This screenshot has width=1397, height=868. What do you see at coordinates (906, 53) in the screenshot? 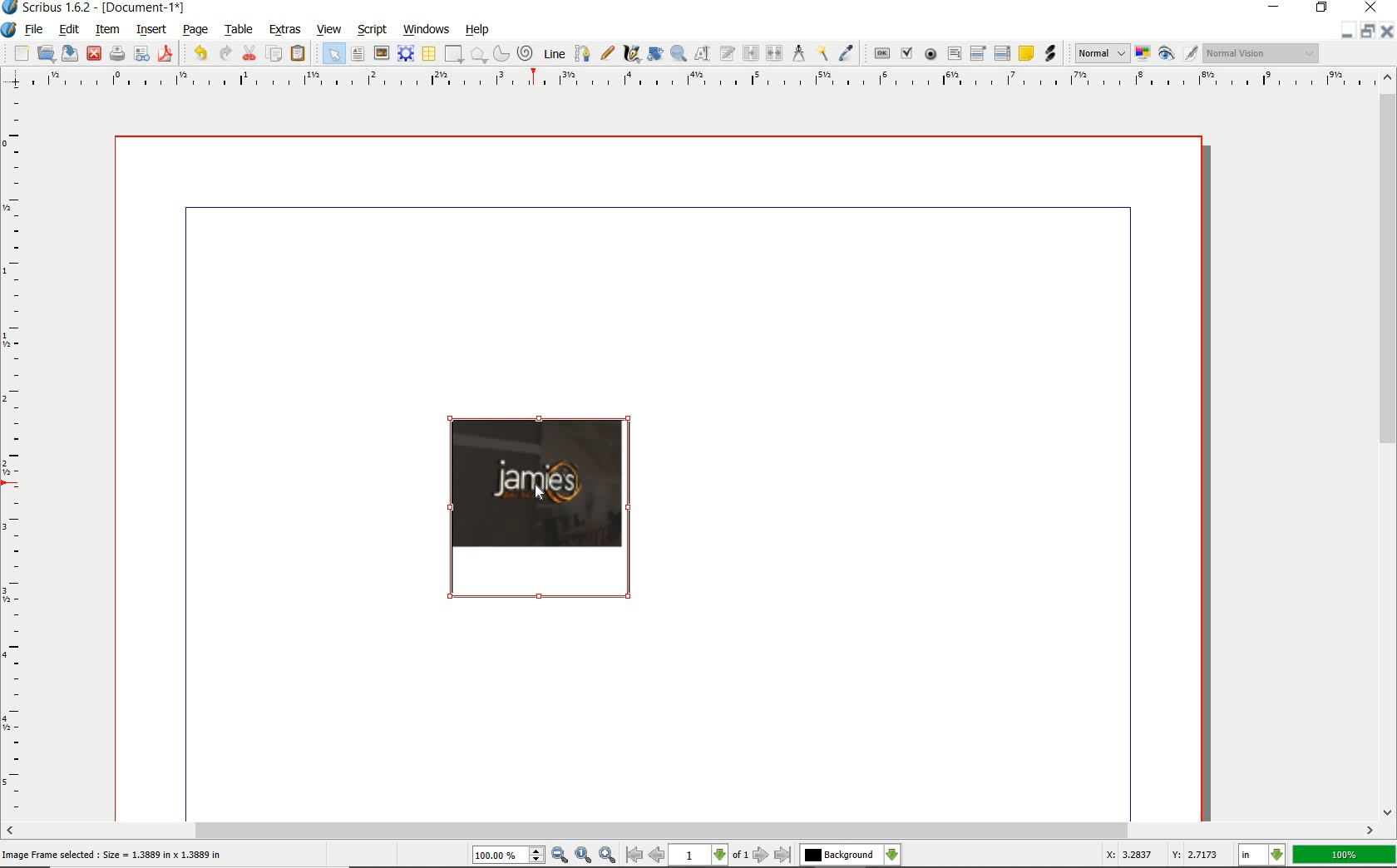
I see `pdf check box` at bounding box center [906, 53].